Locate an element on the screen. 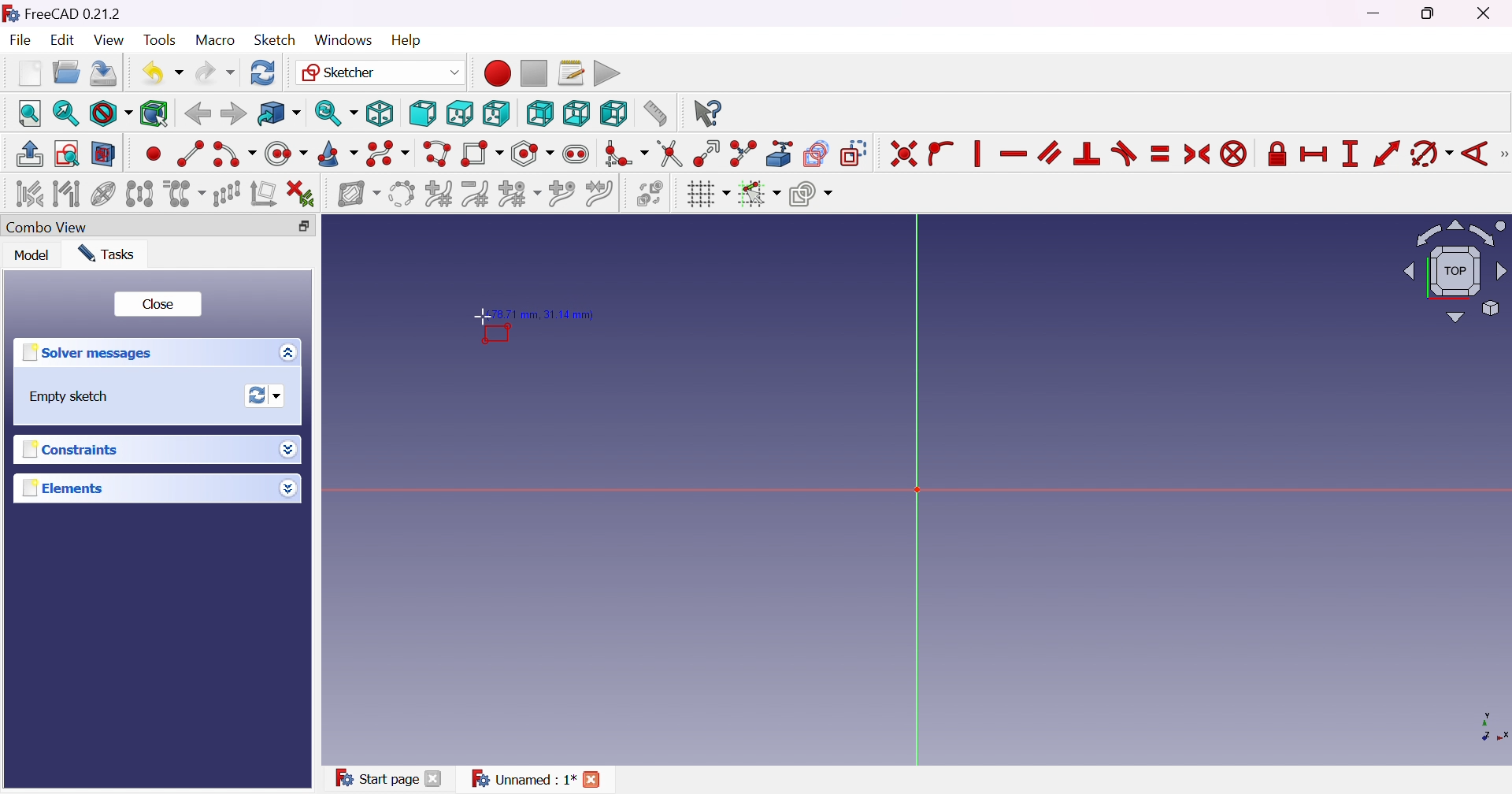 This screenshot has height=794, width=1512. Solver messages is located at coordinates (92, 352).